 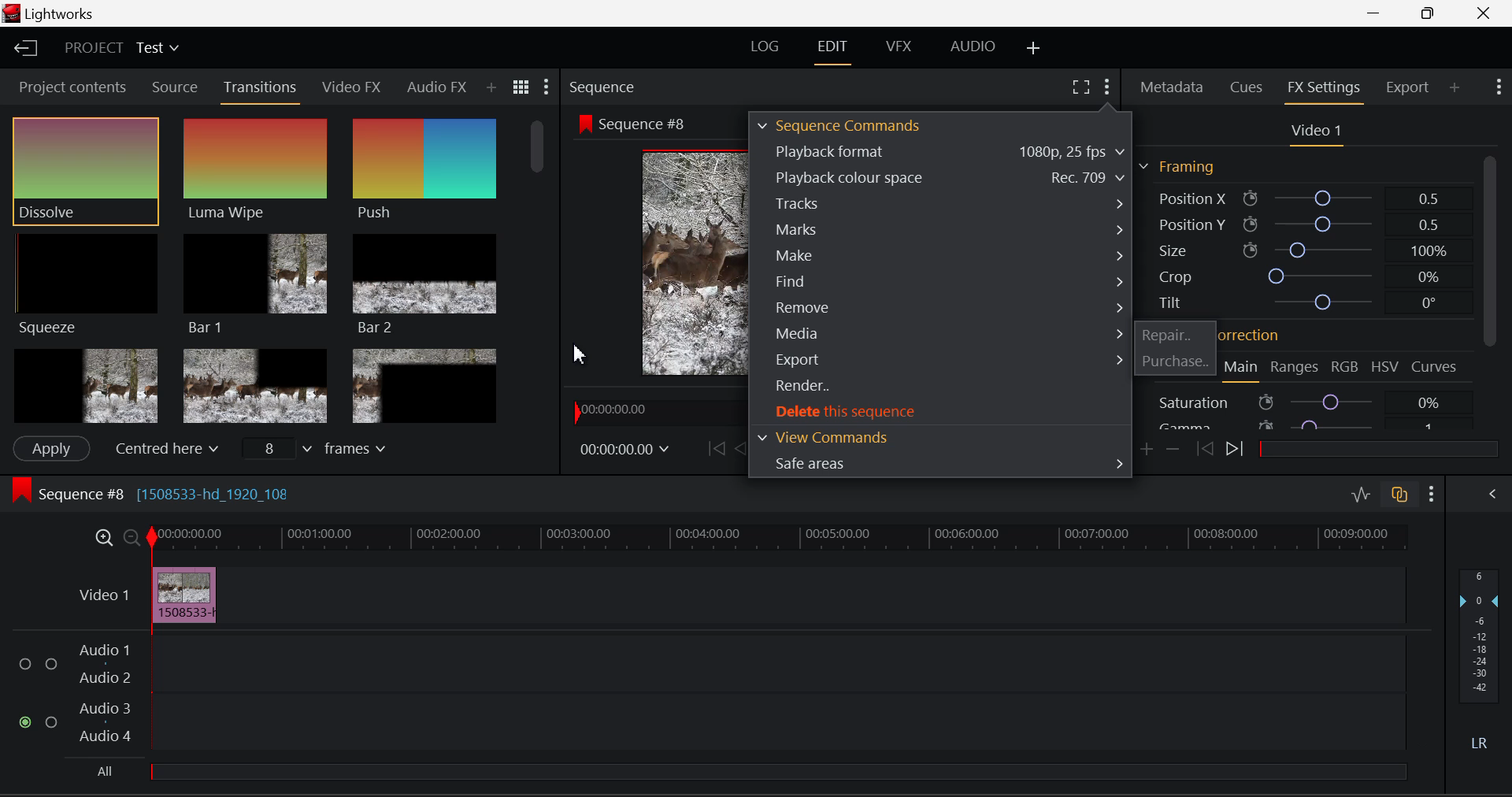 I want to click on Toggle list and title view, so click(x=521, y=86).